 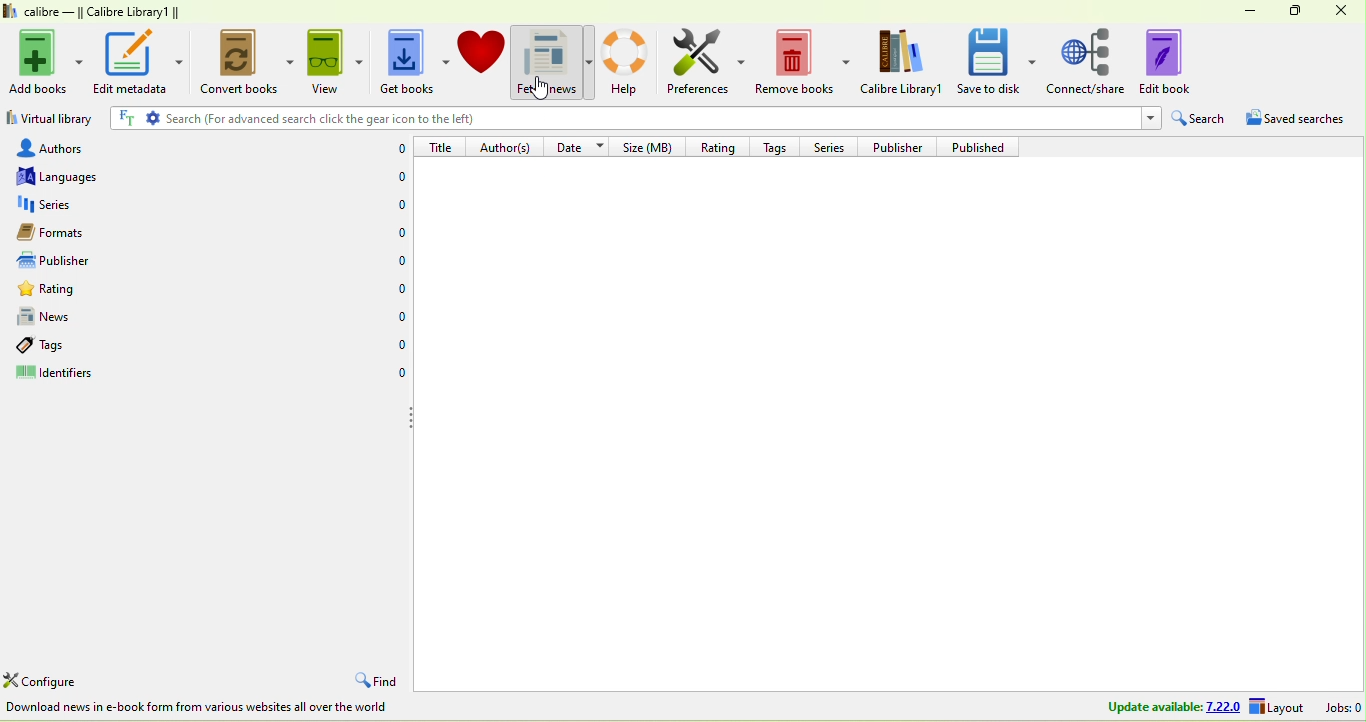 What do you see at coordinates (545, 88) in the screenshot?
I see `cursor` at bounding box center [545, 88].